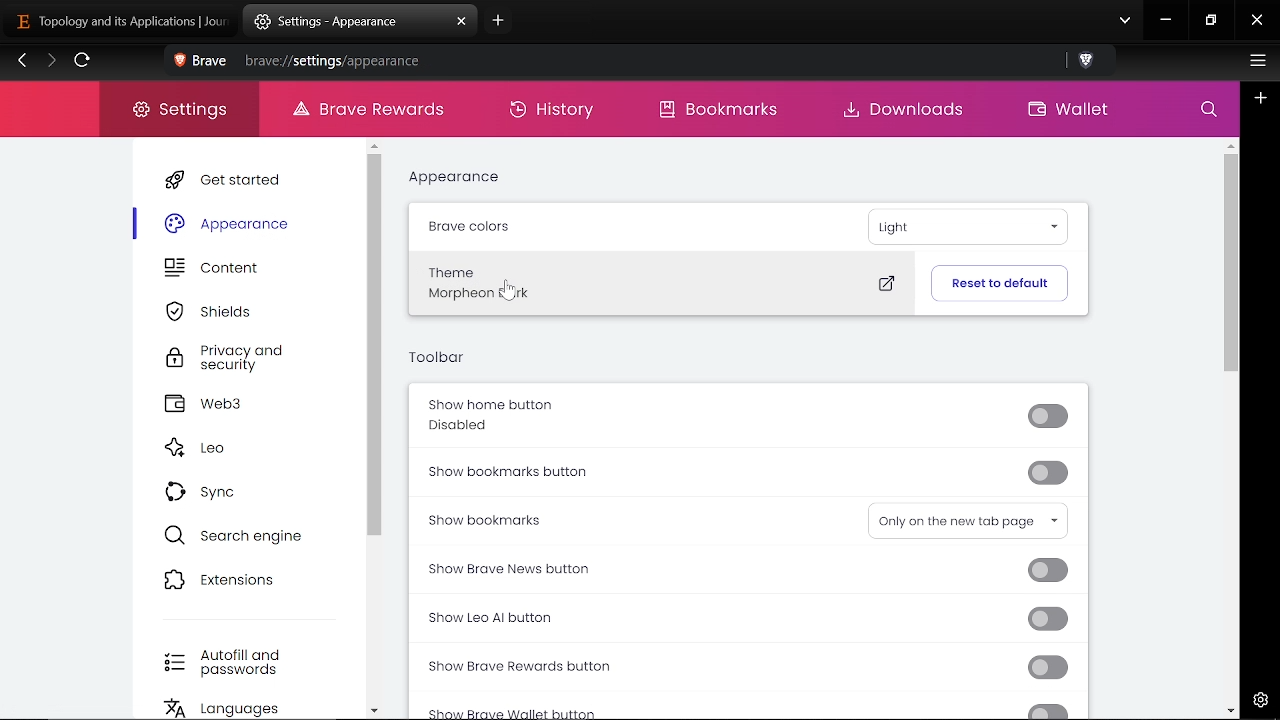 The image size is (1280, 720). I want to click on Add new tab, so click(496, 24).